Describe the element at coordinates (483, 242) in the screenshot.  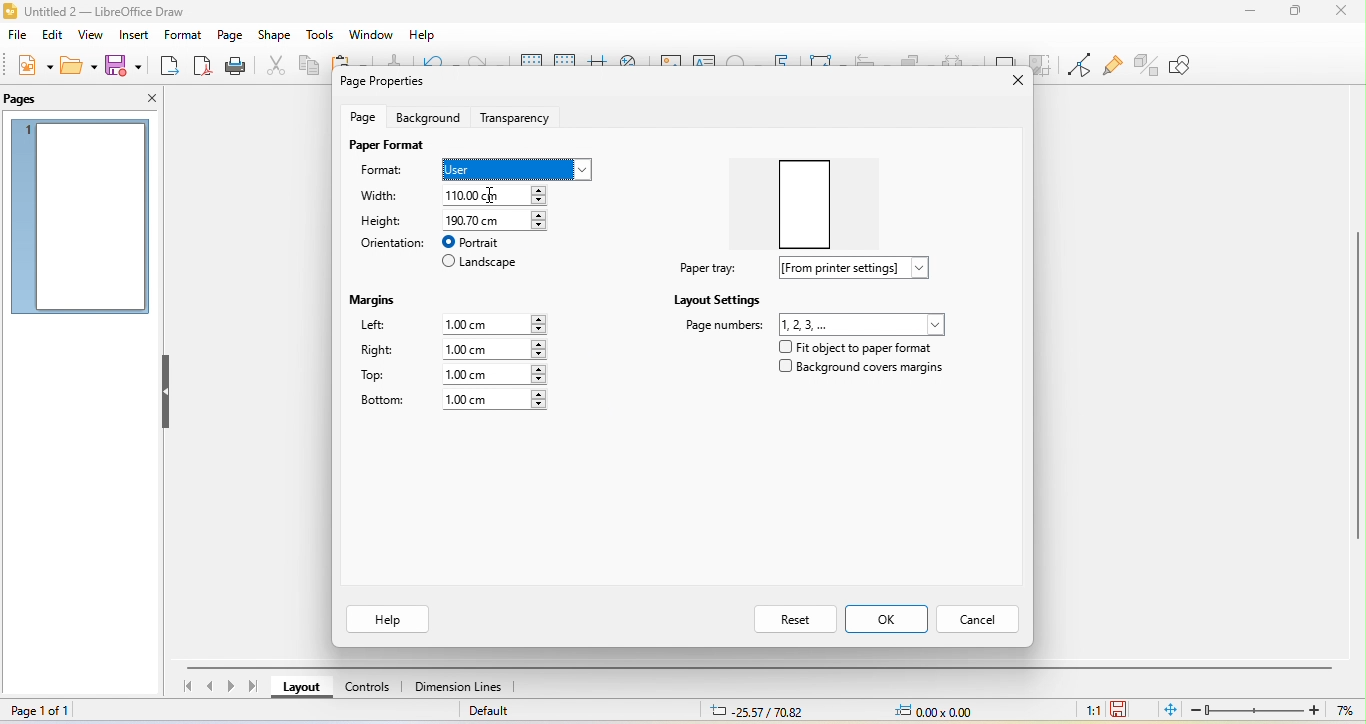
I see `portrait` at that location.